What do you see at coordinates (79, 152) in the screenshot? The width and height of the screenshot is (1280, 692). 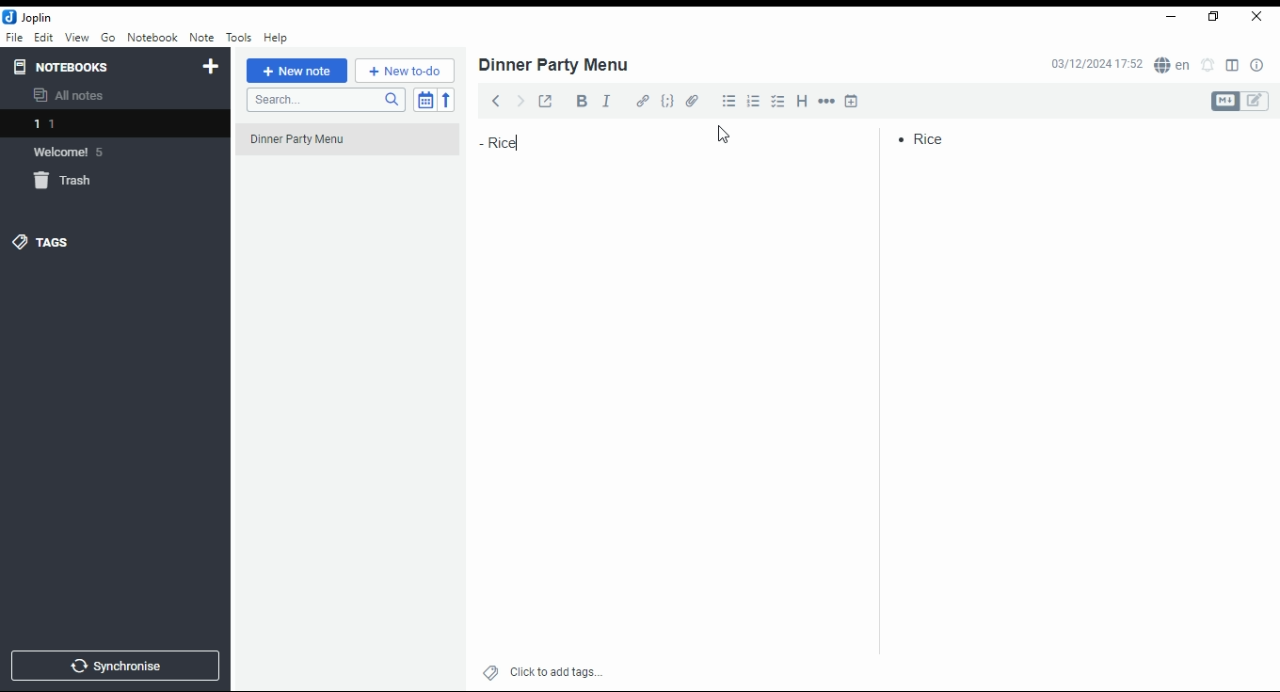 I see `welcome 5` at bounding box center [79, 152].